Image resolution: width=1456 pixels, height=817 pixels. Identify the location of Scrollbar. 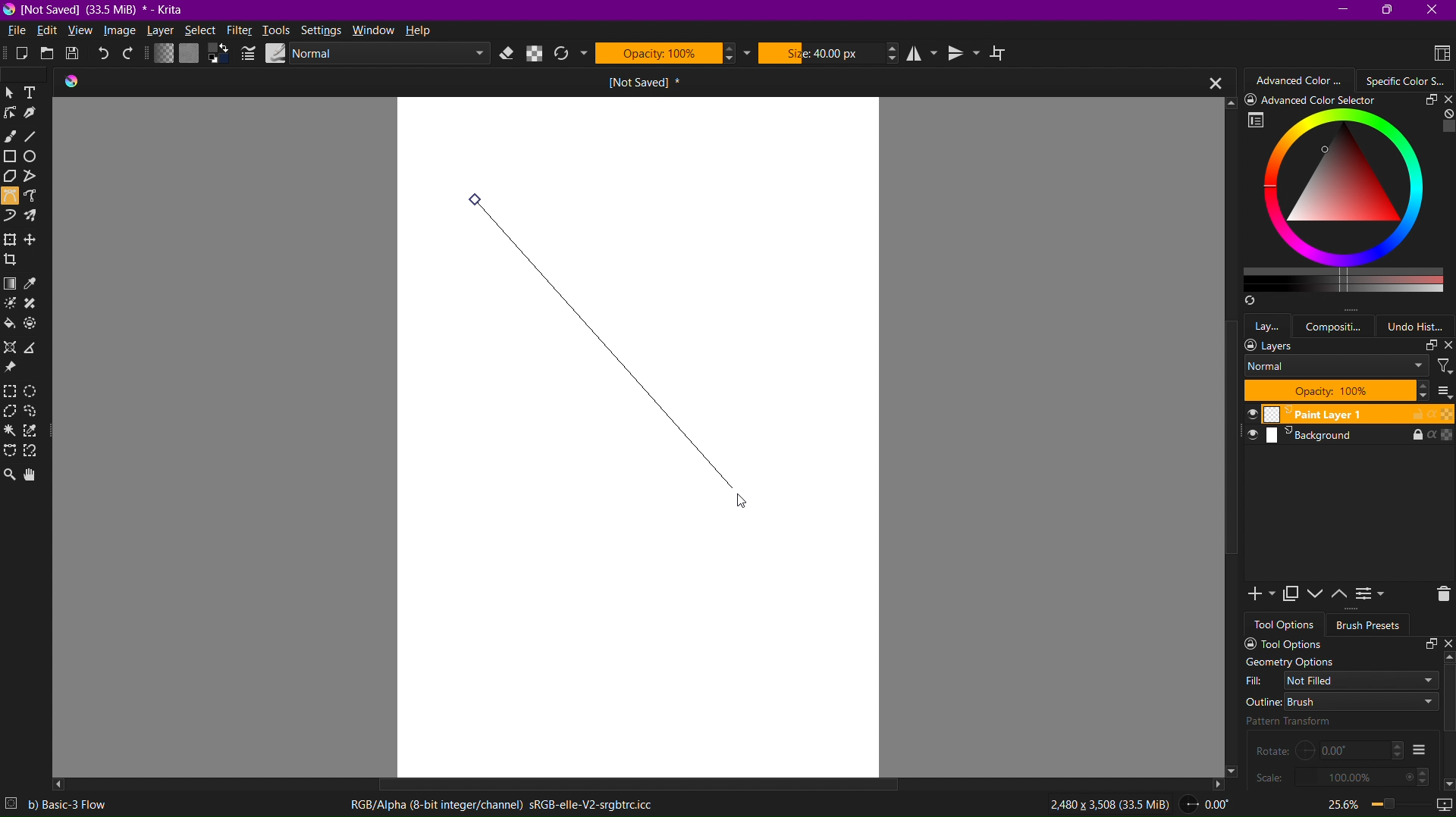
(628, 781).